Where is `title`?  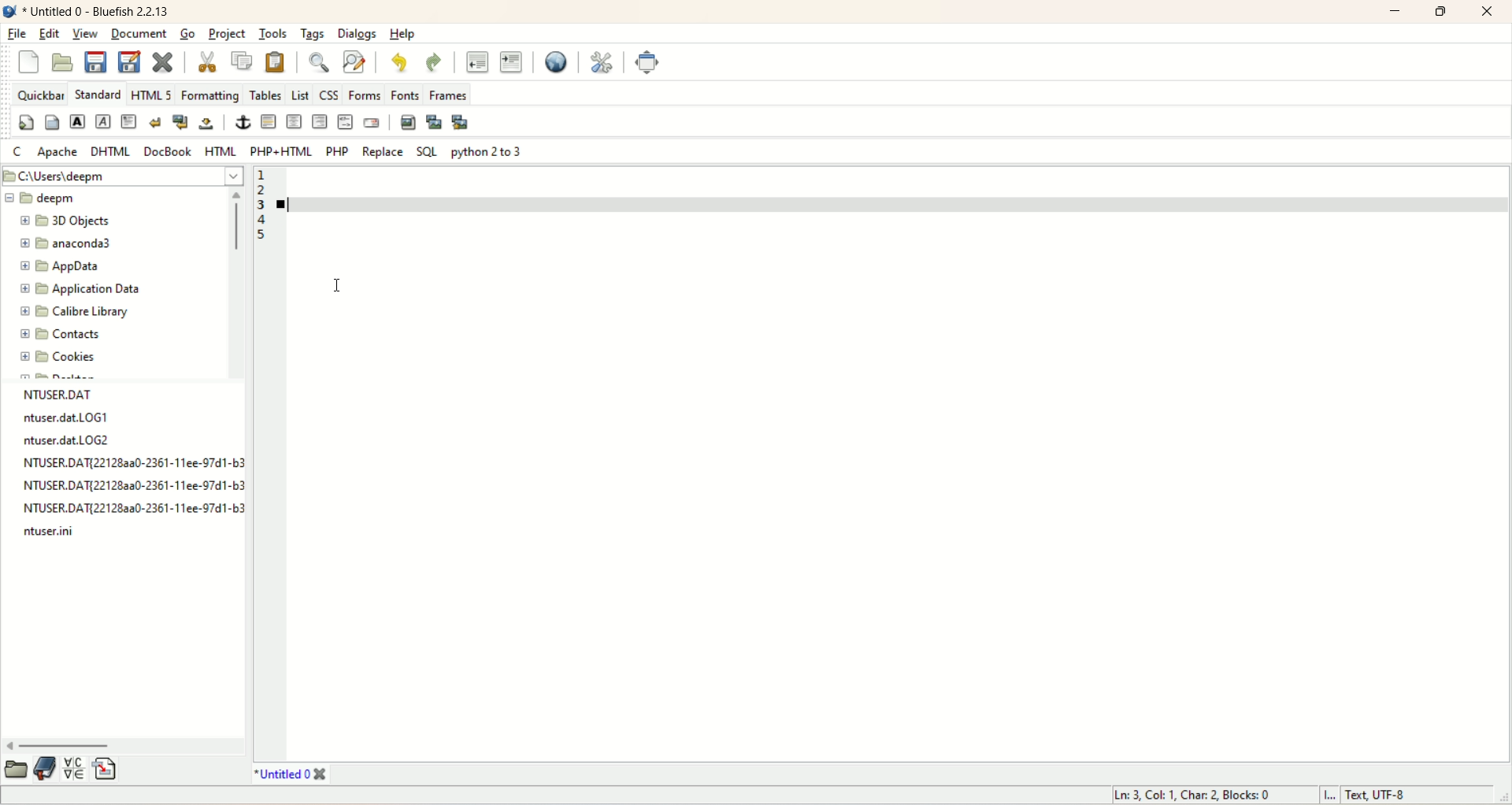 title is located at coordinates (287, 775).